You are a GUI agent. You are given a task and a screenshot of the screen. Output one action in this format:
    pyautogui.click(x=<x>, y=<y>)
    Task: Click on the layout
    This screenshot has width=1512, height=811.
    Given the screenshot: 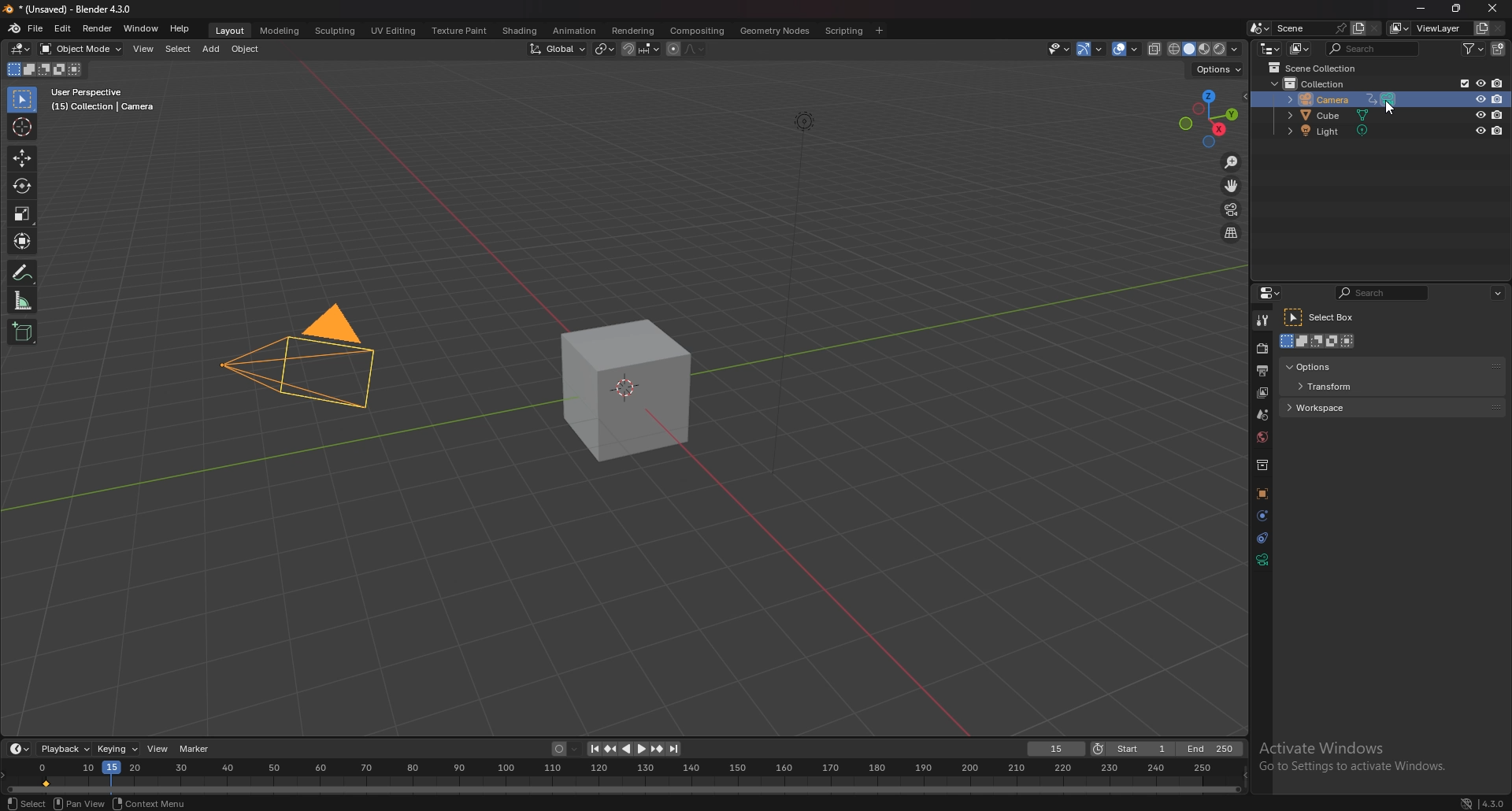 What is the action you would take?
    pyautogui.click(x=232, y=31)
    